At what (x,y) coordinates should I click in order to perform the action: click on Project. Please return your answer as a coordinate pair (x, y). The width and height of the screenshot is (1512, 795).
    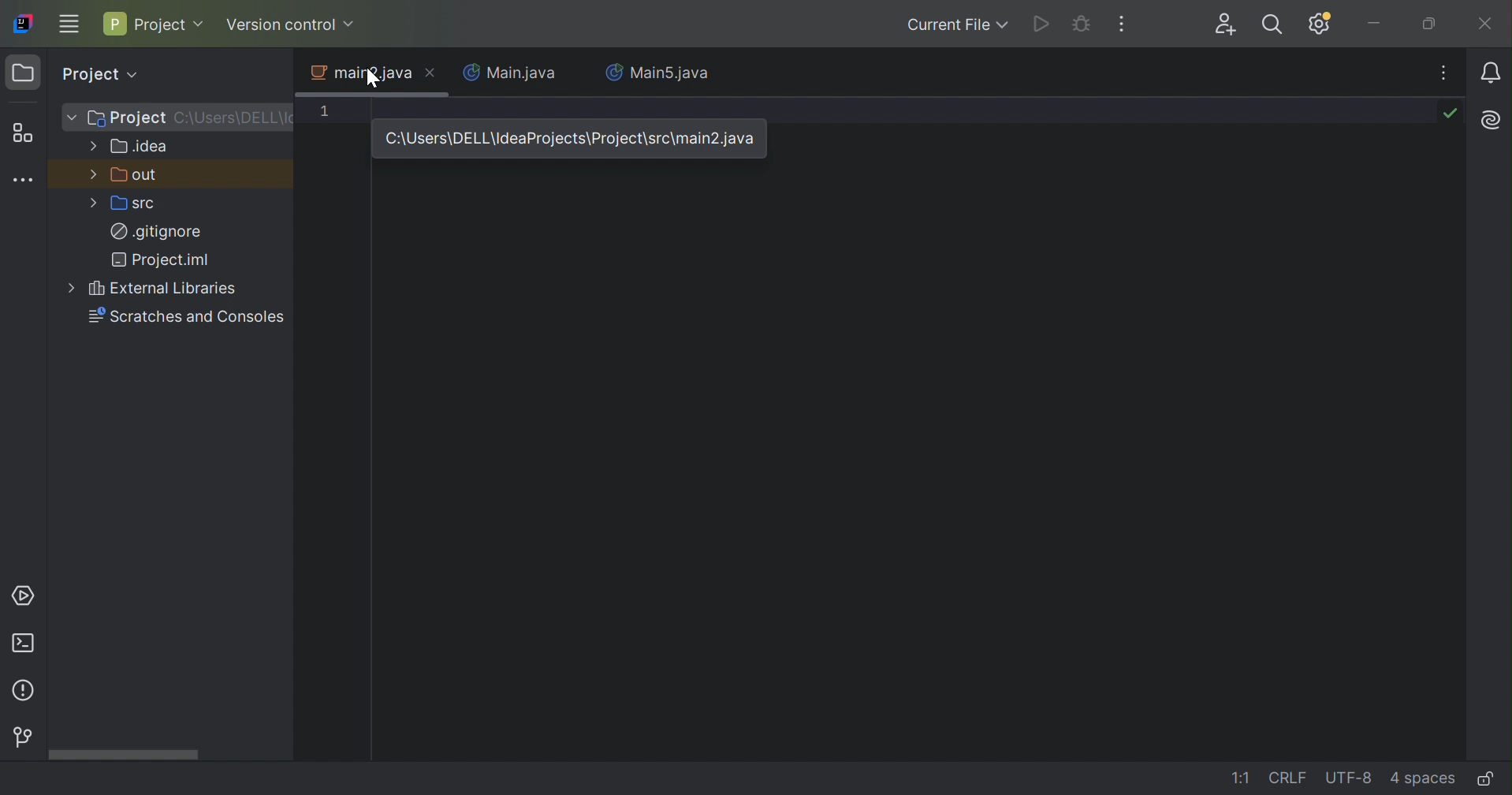
    Looking at the image, I should click on (127, 119).